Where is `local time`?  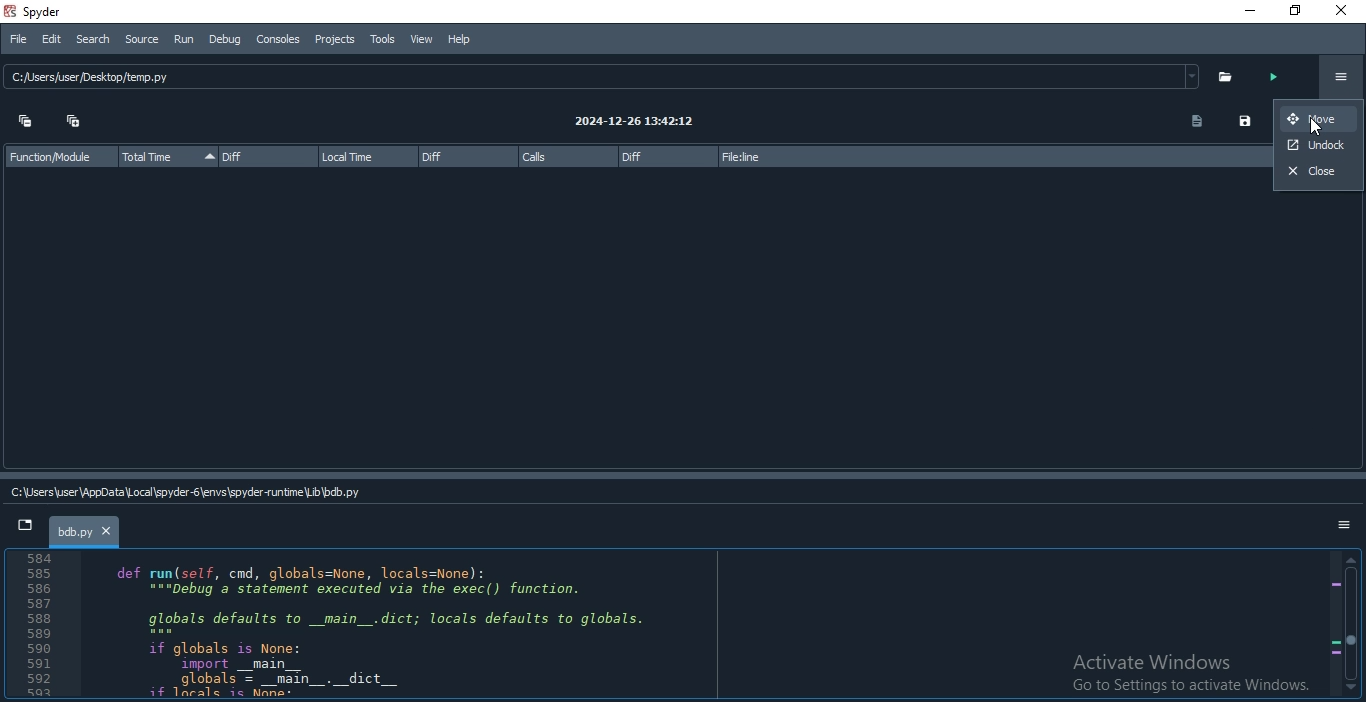 local time is located at coordinates (366, 157).